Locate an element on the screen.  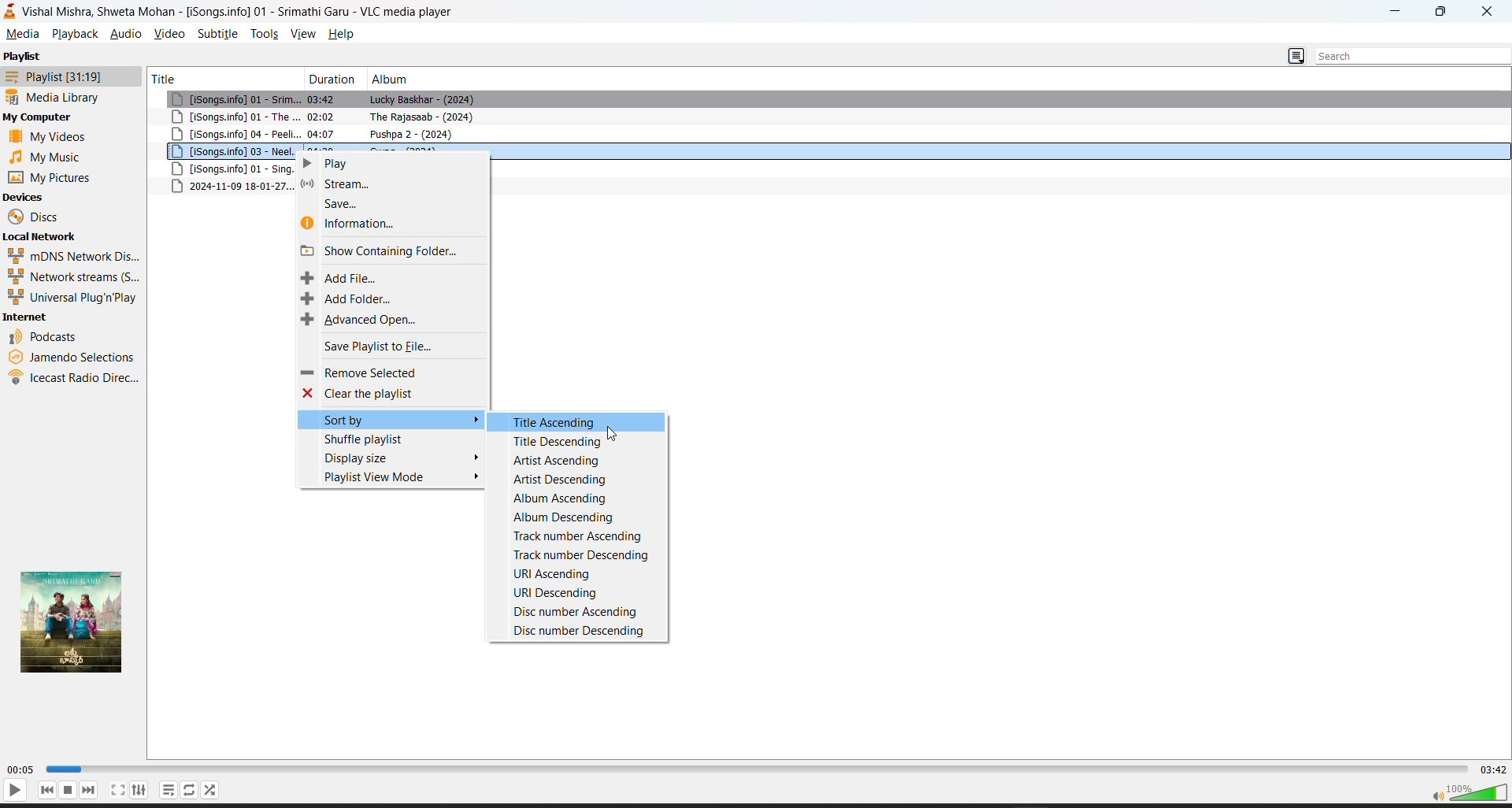
add file is located at coordinates (392, 278).